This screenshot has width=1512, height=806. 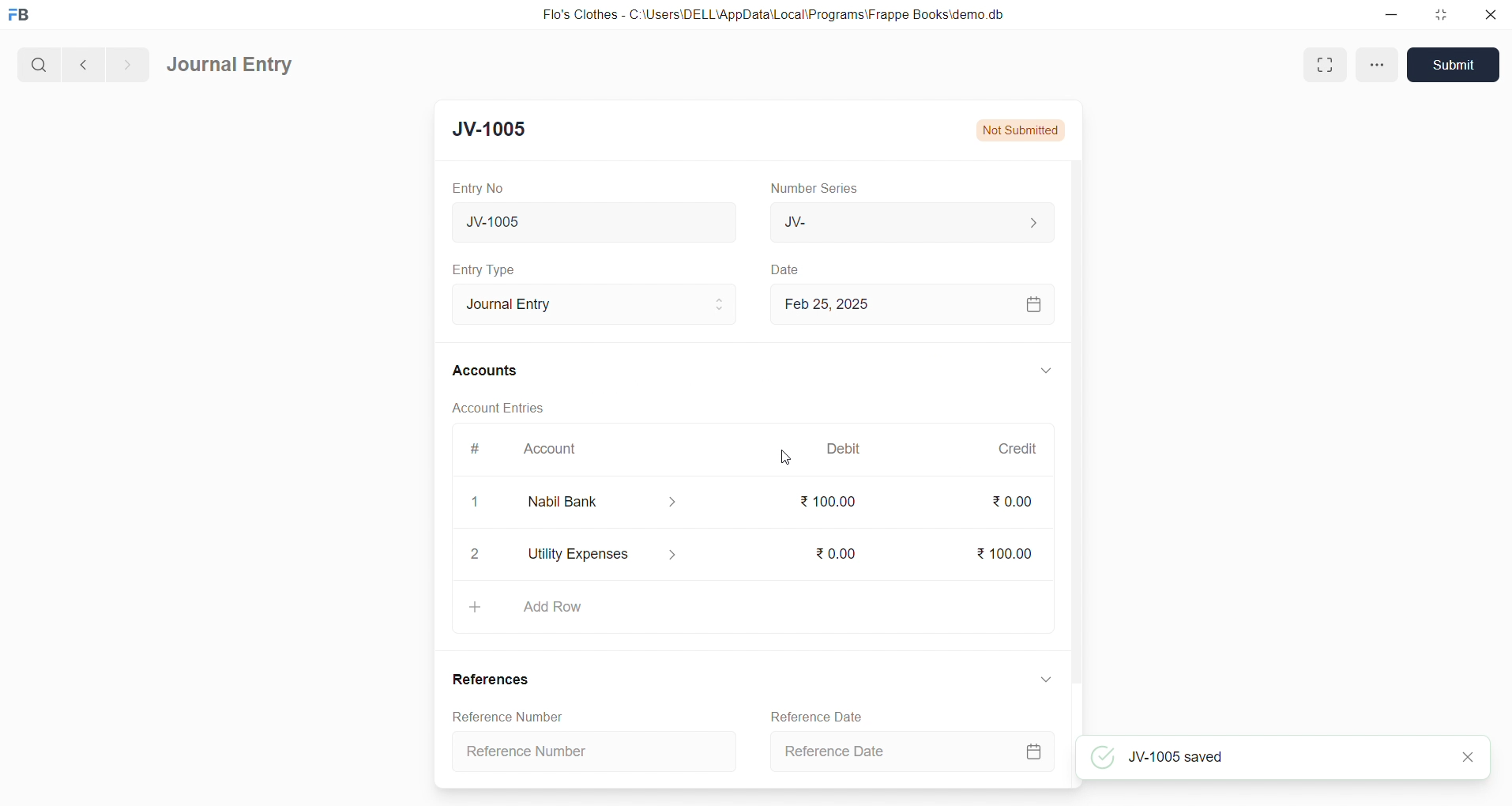 What do you see at coordinates (499, 129) in the screenshot?
I see `New Entry` at bounding box center [499, 129].